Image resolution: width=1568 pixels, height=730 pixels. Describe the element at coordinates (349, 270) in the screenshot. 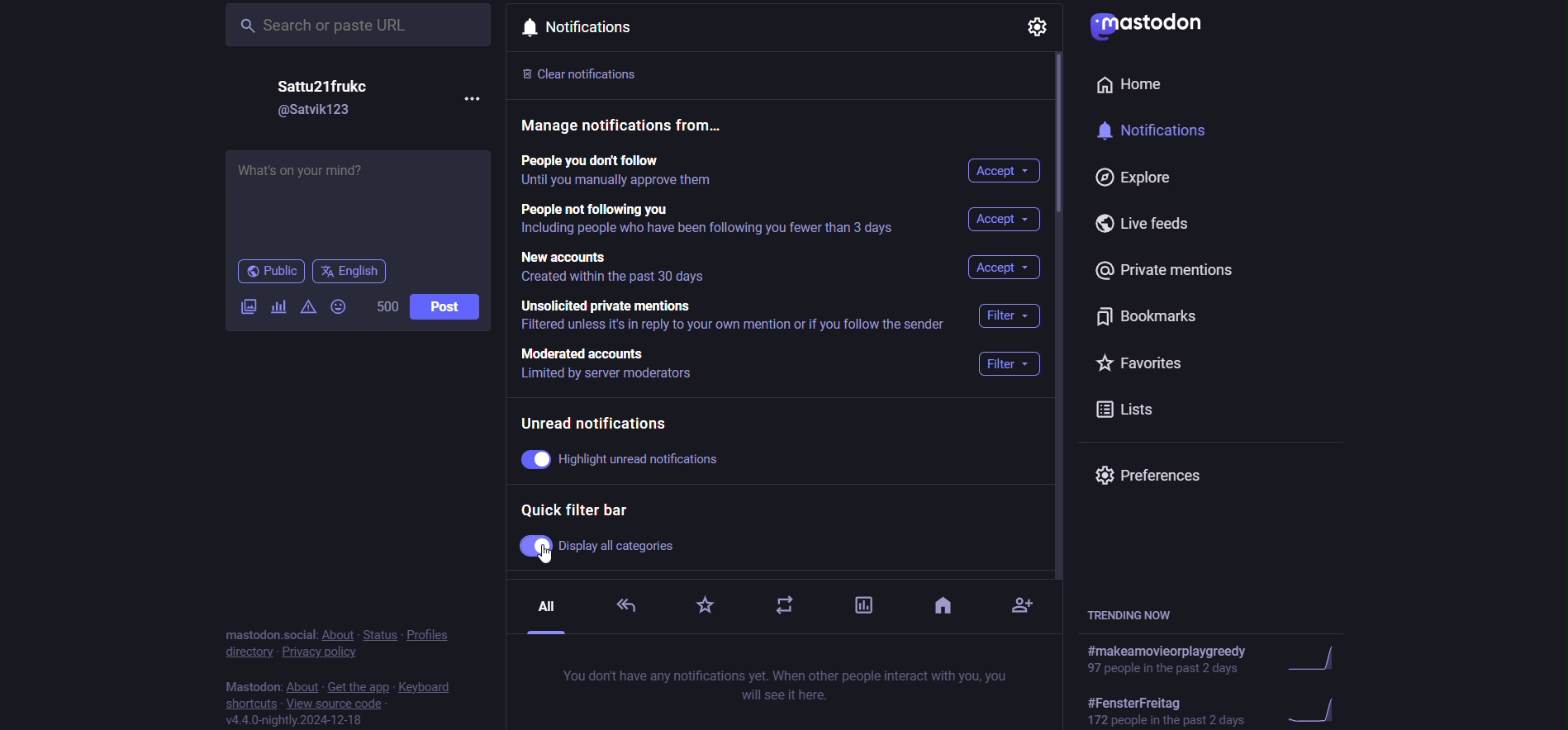

I see `english` at that location.